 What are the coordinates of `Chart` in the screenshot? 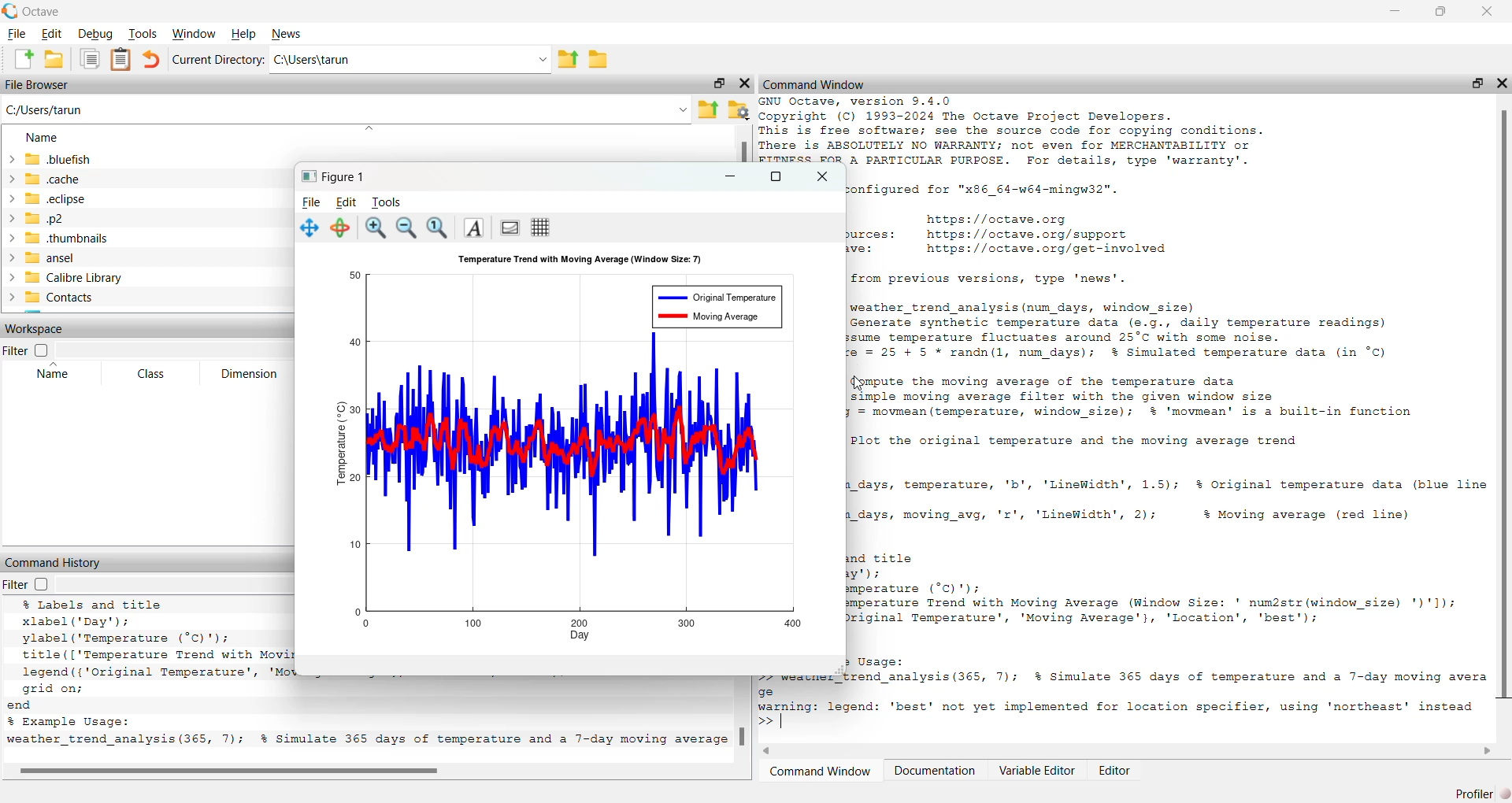 It's located at (573, 447).